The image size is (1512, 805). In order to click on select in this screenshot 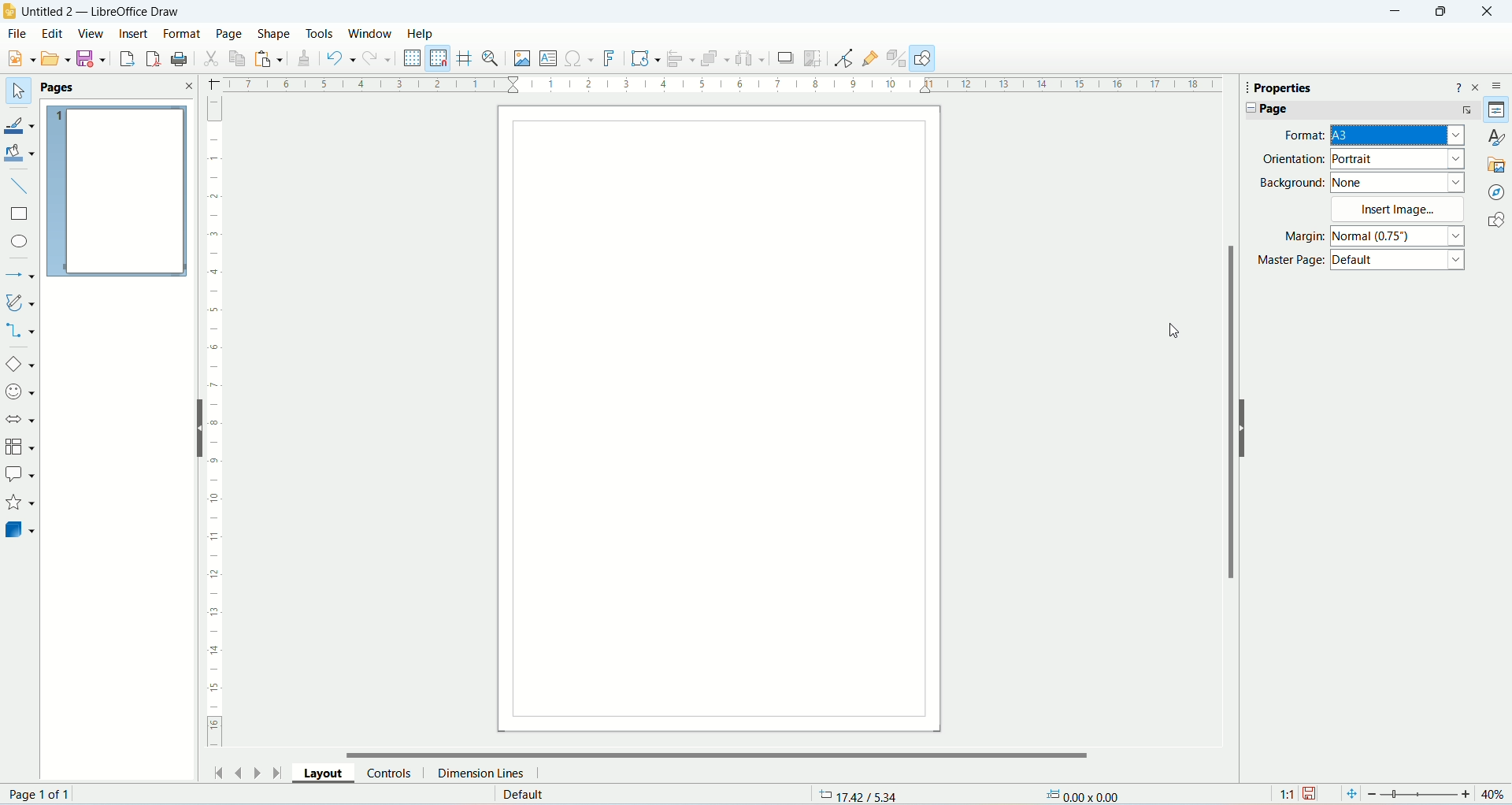, I will do `click(16, 91)`.